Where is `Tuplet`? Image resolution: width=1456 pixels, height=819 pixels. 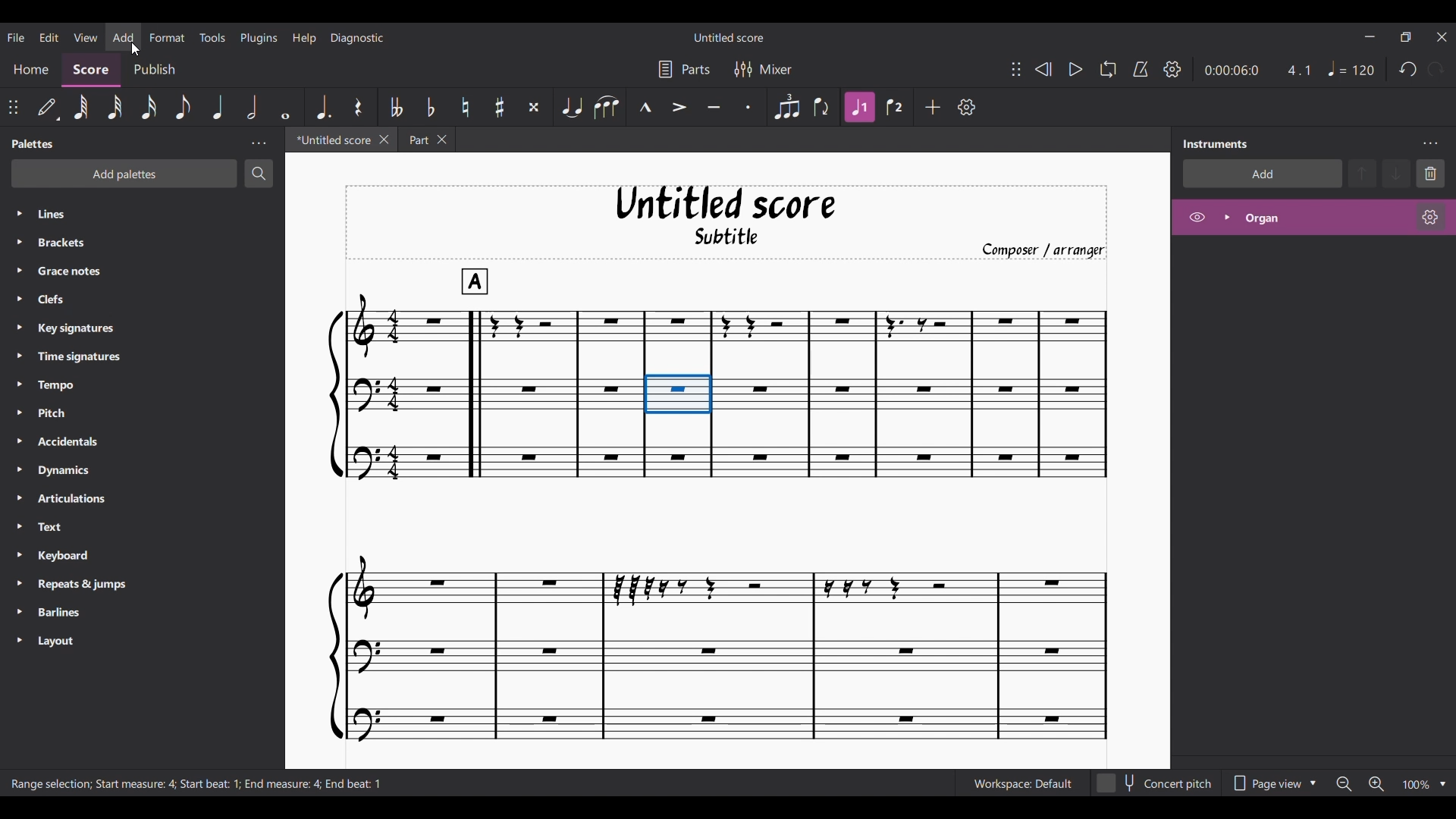 Tuplet is located at coordinates (787, 108).